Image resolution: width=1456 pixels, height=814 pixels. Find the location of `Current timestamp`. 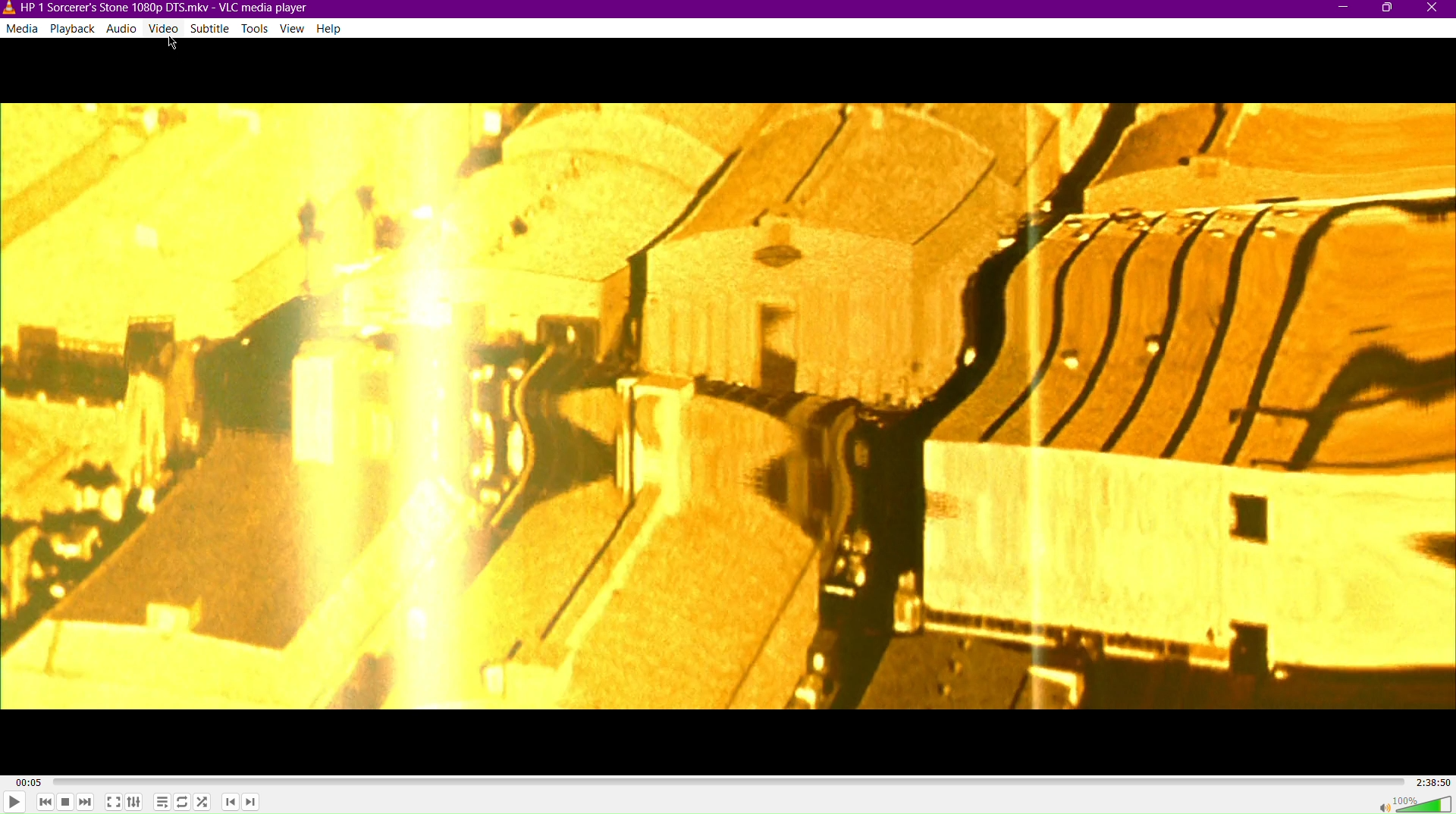

Current timestamp is located at coordinates (20, 778).